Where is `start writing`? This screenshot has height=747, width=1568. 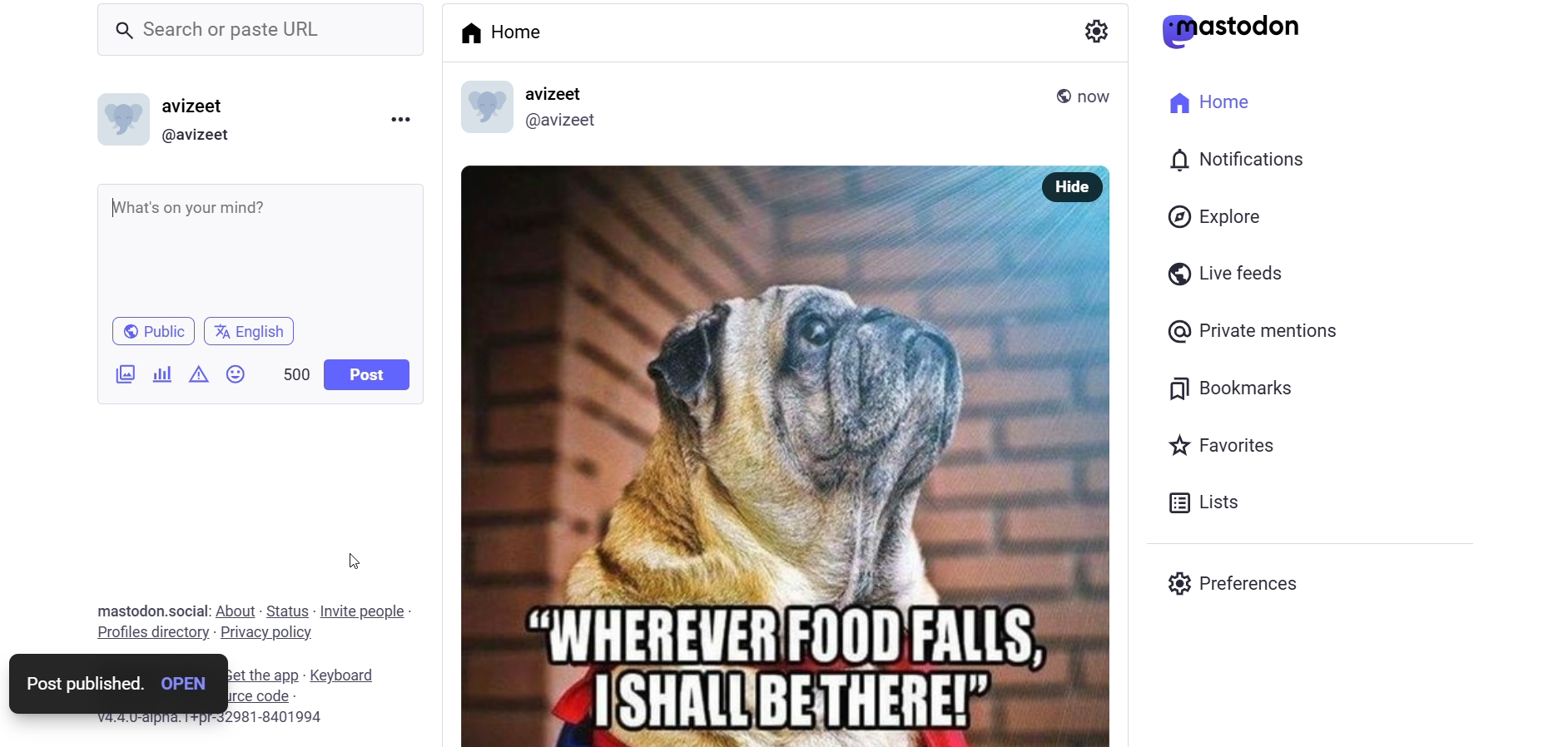 start writing is located at coordinates (117, 208).